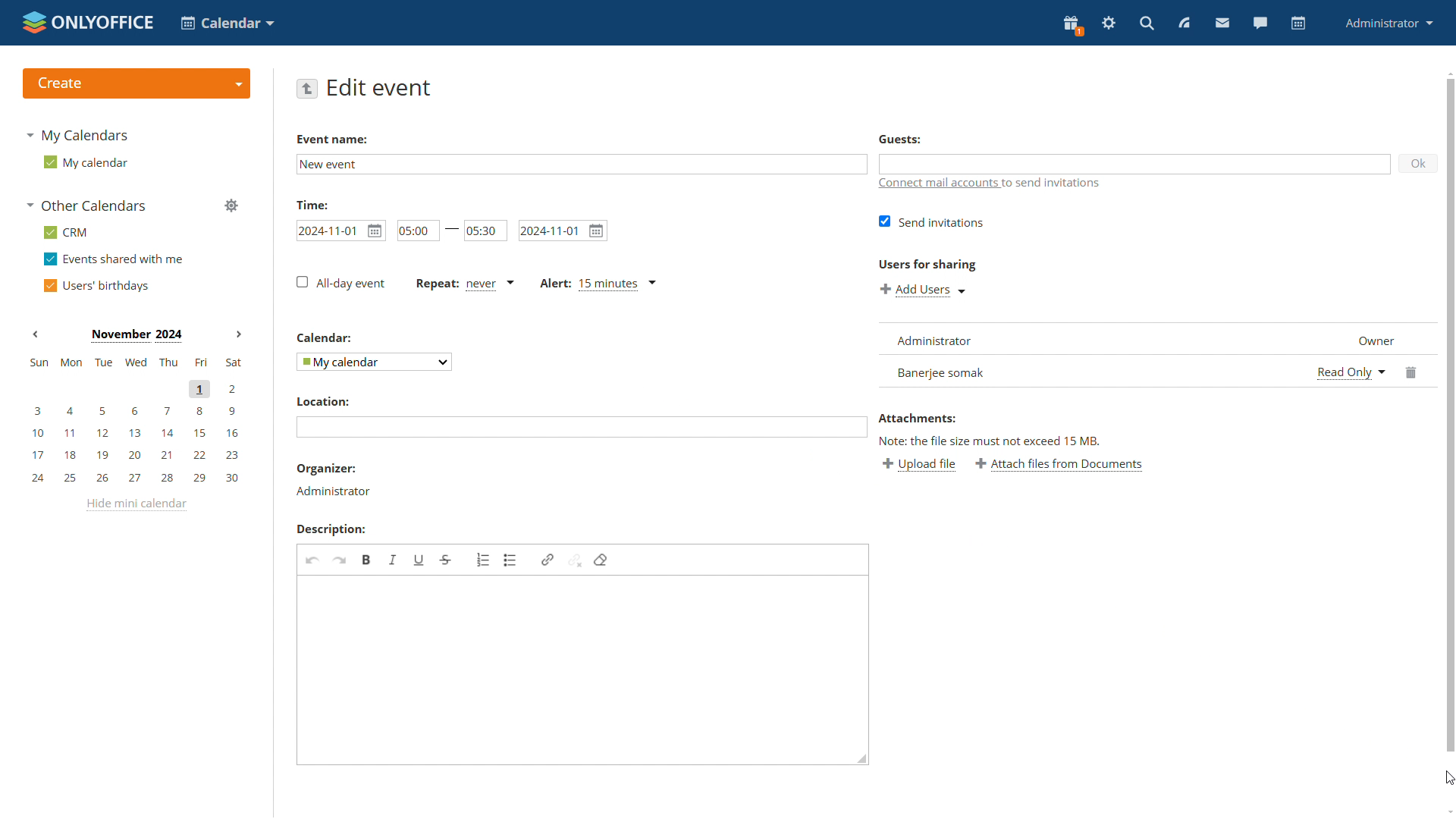 This screenshot has width=1456, height=819. What do you see at coordinates (445, 560) in the screenshot?
I see `strikethrough` at bounding box center [445, 560].